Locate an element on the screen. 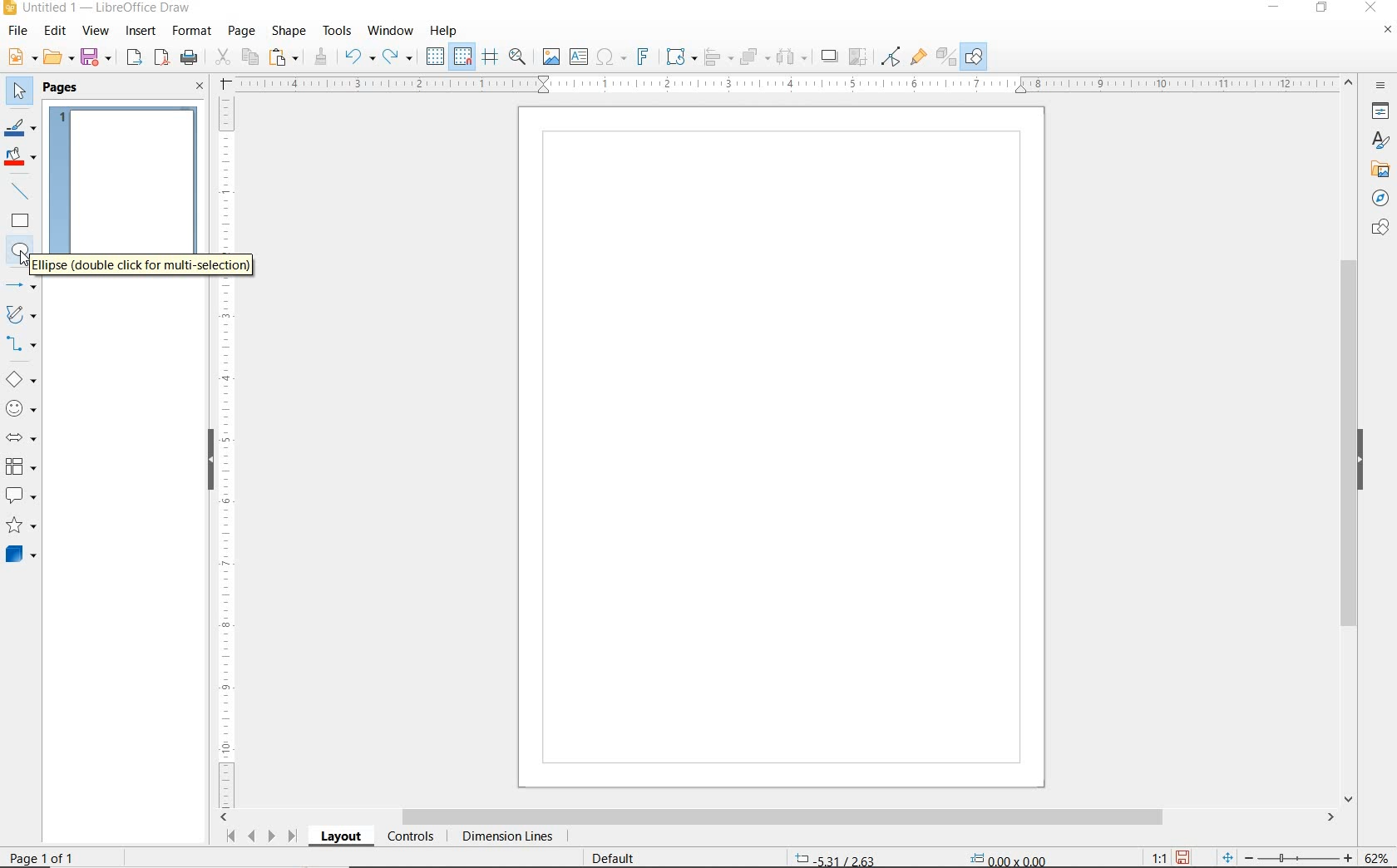  SHOW GLUEPOINT FUNCTIONS is located at coordinates (918, 57).